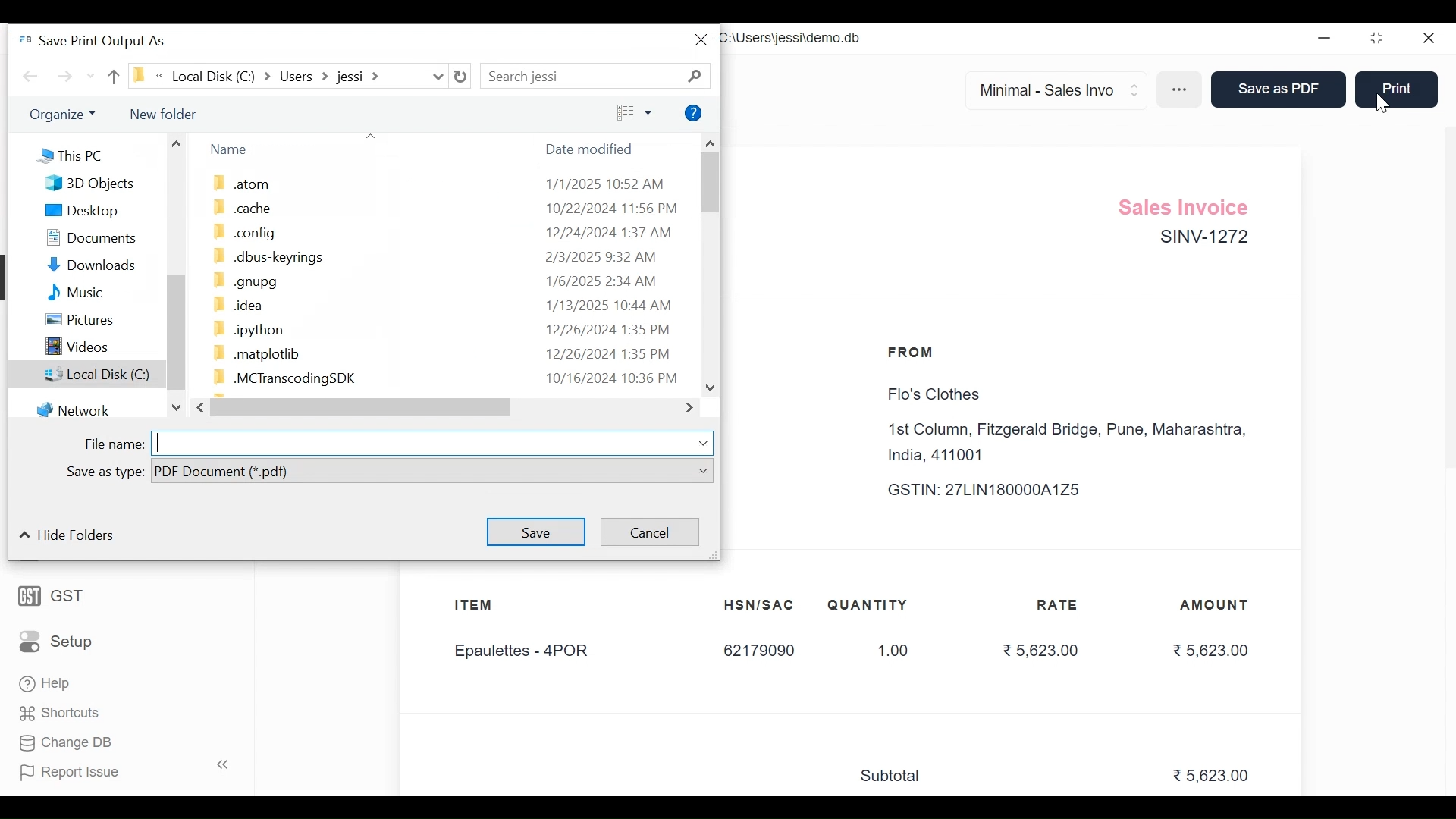 Image resolution: width=1456 pixels, height=819 pixels. I want to click on Report Issue, so click(120, 771).